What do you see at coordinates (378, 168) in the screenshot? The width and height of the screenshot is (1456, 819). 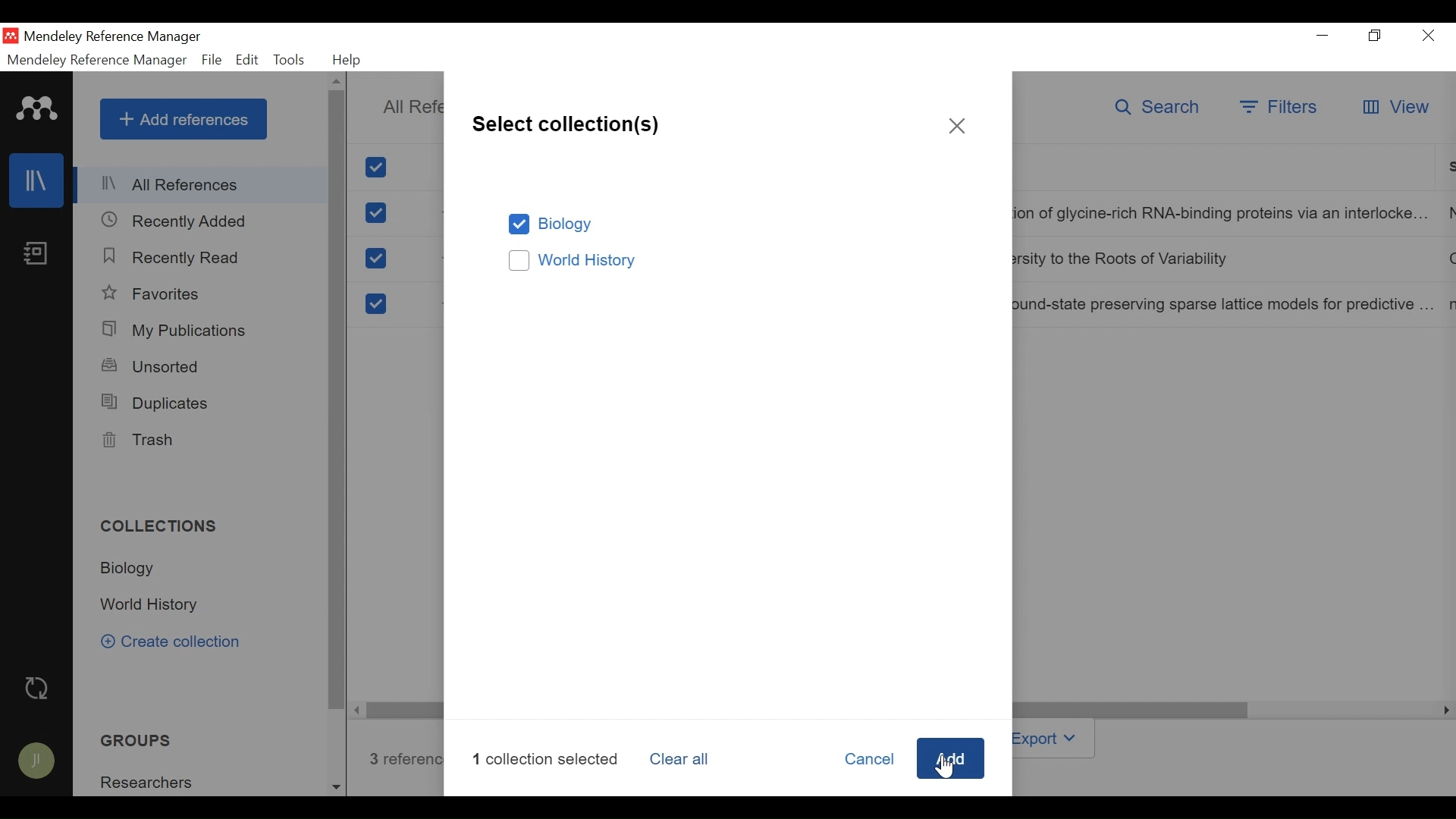 I see `(un)Select all` at bounding box center [378, 168].